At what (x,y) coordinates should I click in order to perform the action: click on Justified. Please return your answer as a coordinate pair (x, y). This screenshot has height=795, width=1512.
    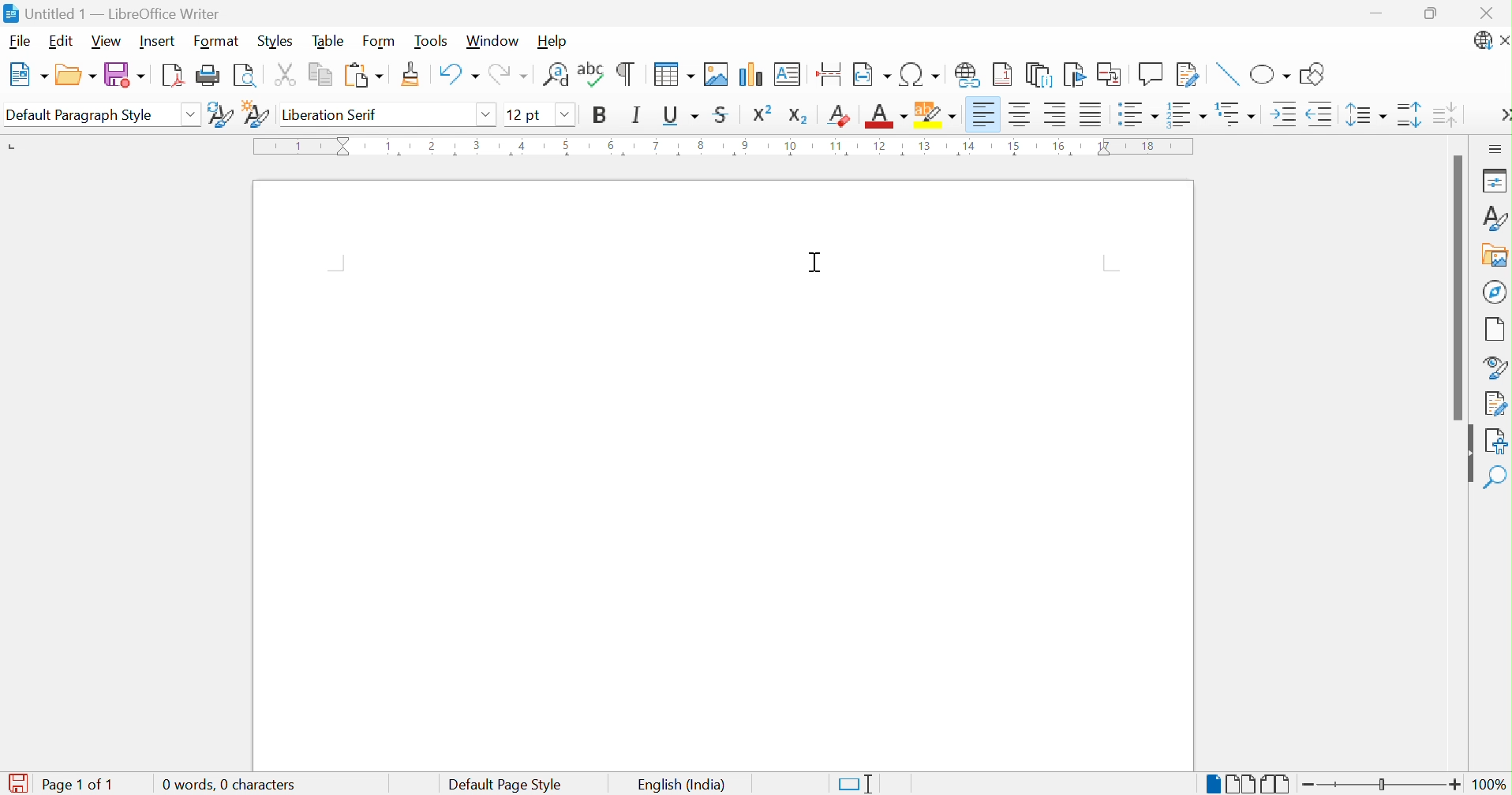
    Looking at the image, I should click on (1091, 113).